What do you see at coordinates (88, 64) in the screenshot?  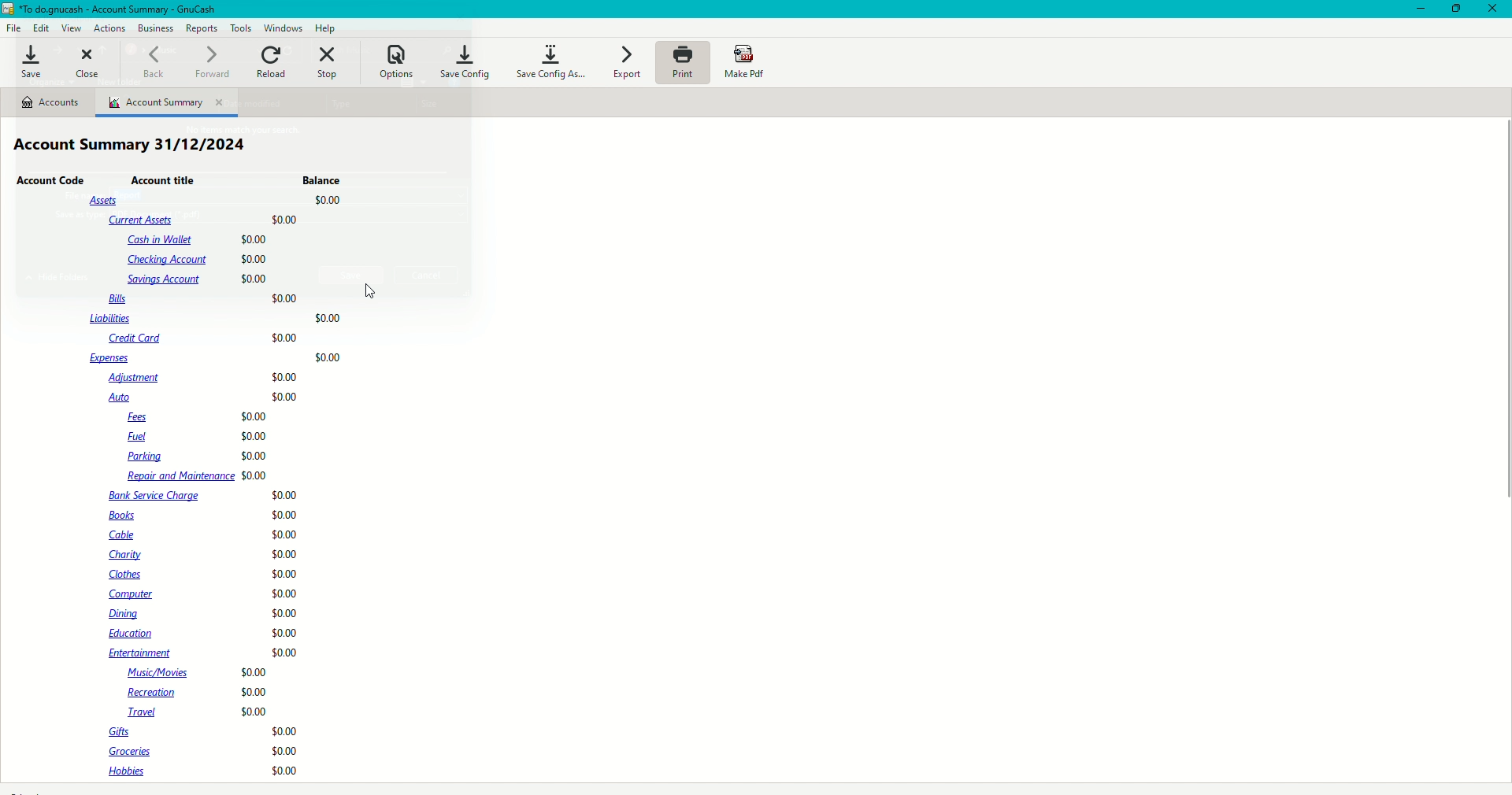 I see `Close` at bounding box center [88, 64].